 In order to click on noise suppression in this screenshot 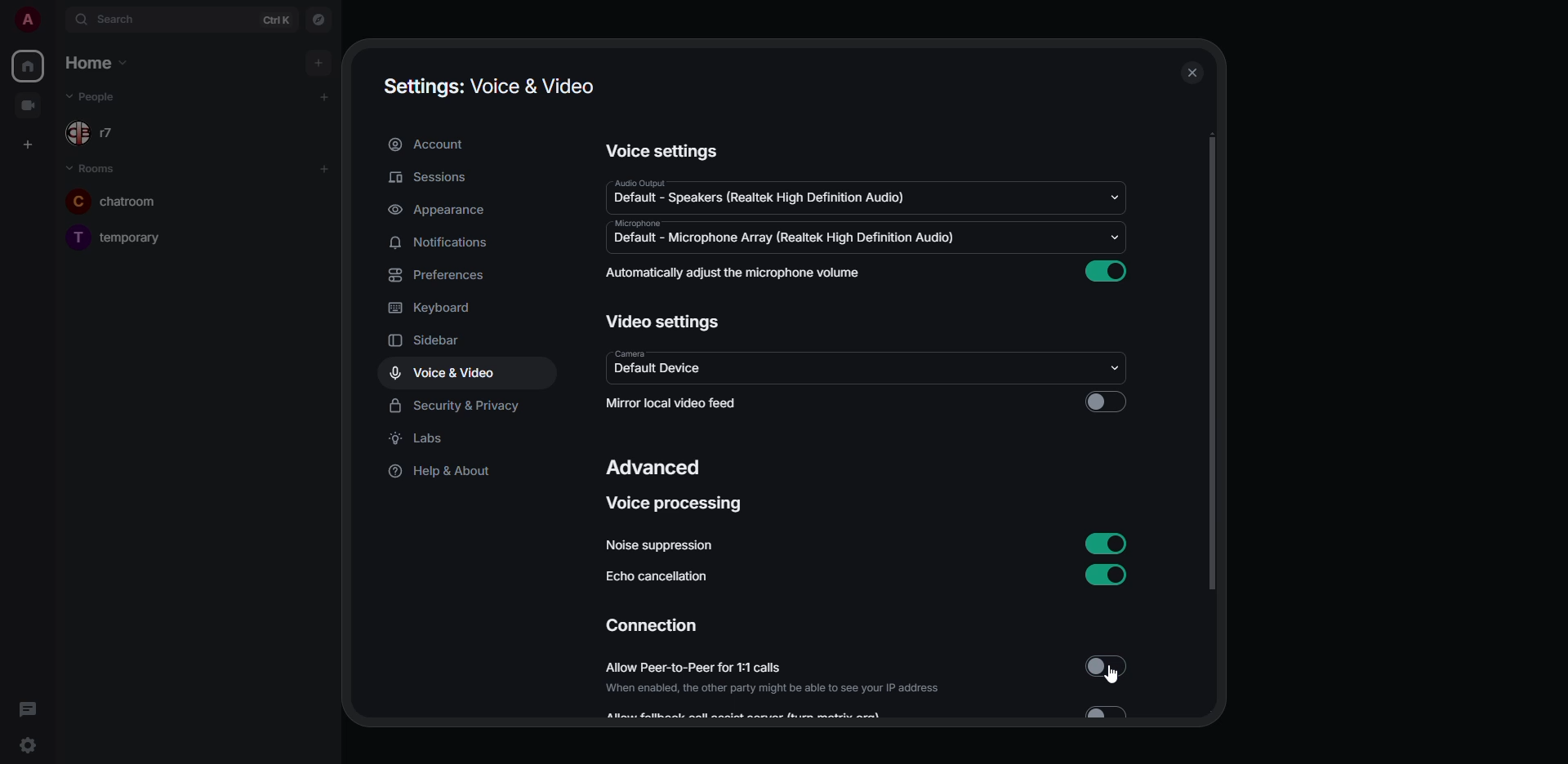, I will do `click(659, 546)`.